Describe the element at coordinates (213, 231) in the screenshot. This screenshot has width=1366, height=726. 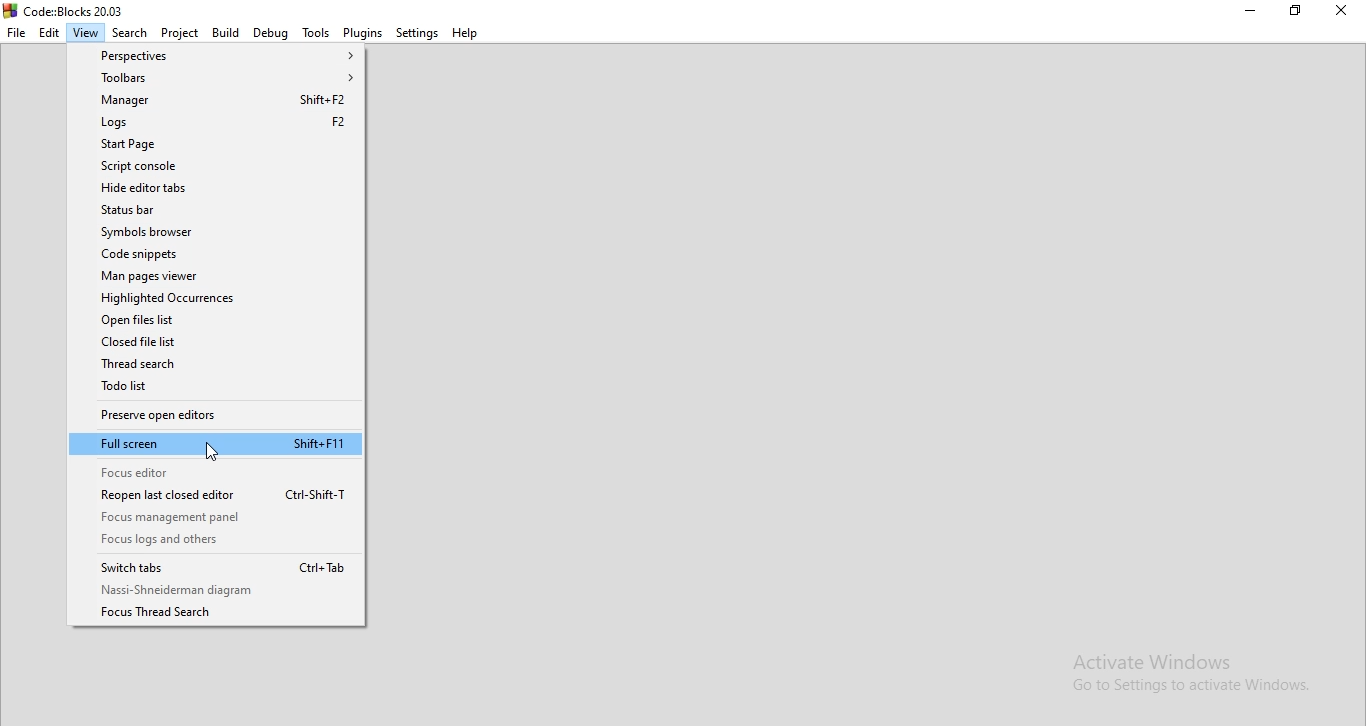
I see `Symbols browser` at that location.